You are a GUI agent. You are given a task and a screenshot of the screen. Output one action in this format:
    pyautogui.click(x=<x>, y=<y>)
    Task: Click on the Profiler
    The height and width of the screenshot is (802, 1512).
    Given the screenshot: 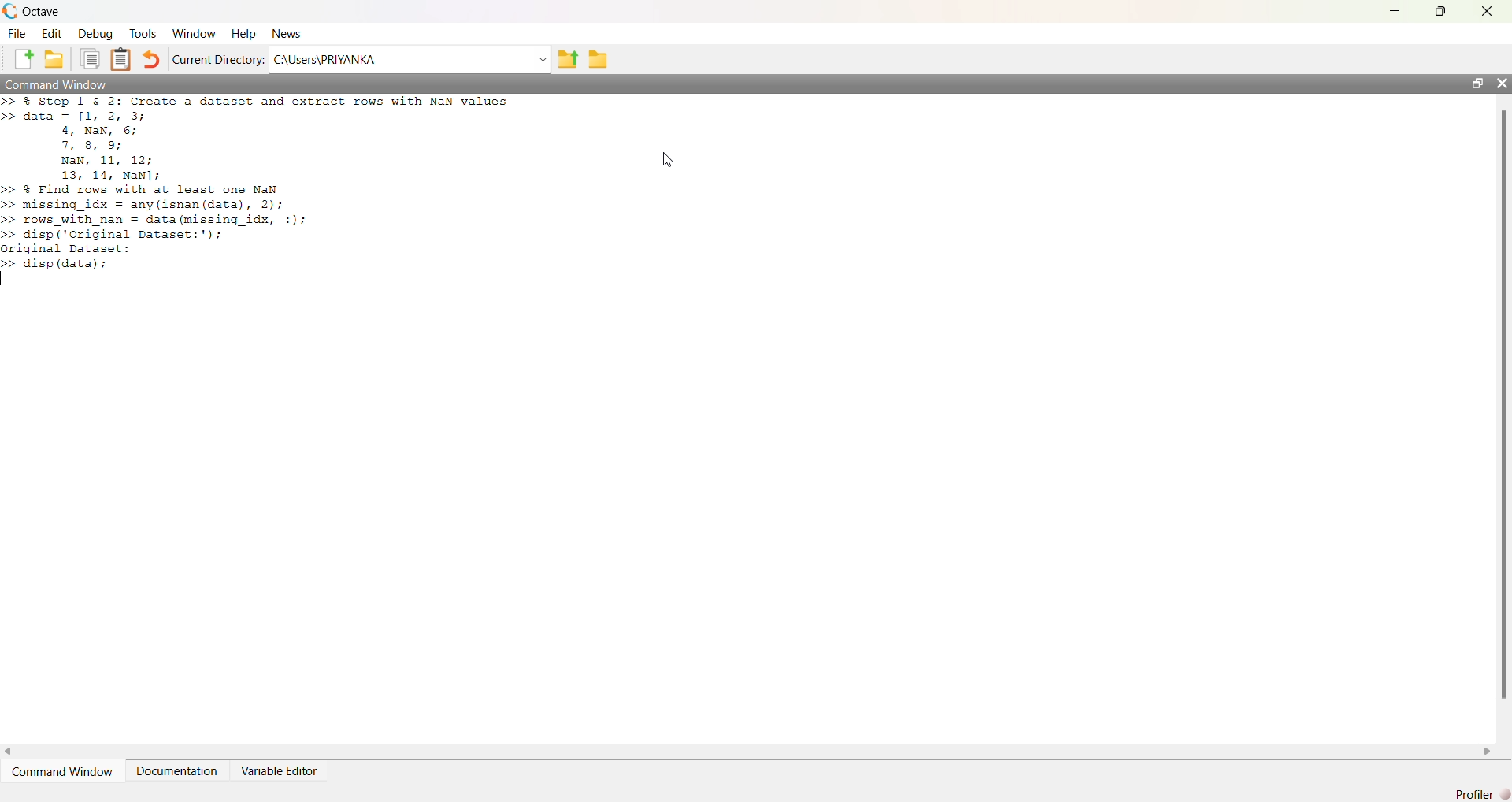 What is the action you would take?
    pyautogui.click(x=1482, y=794)
    